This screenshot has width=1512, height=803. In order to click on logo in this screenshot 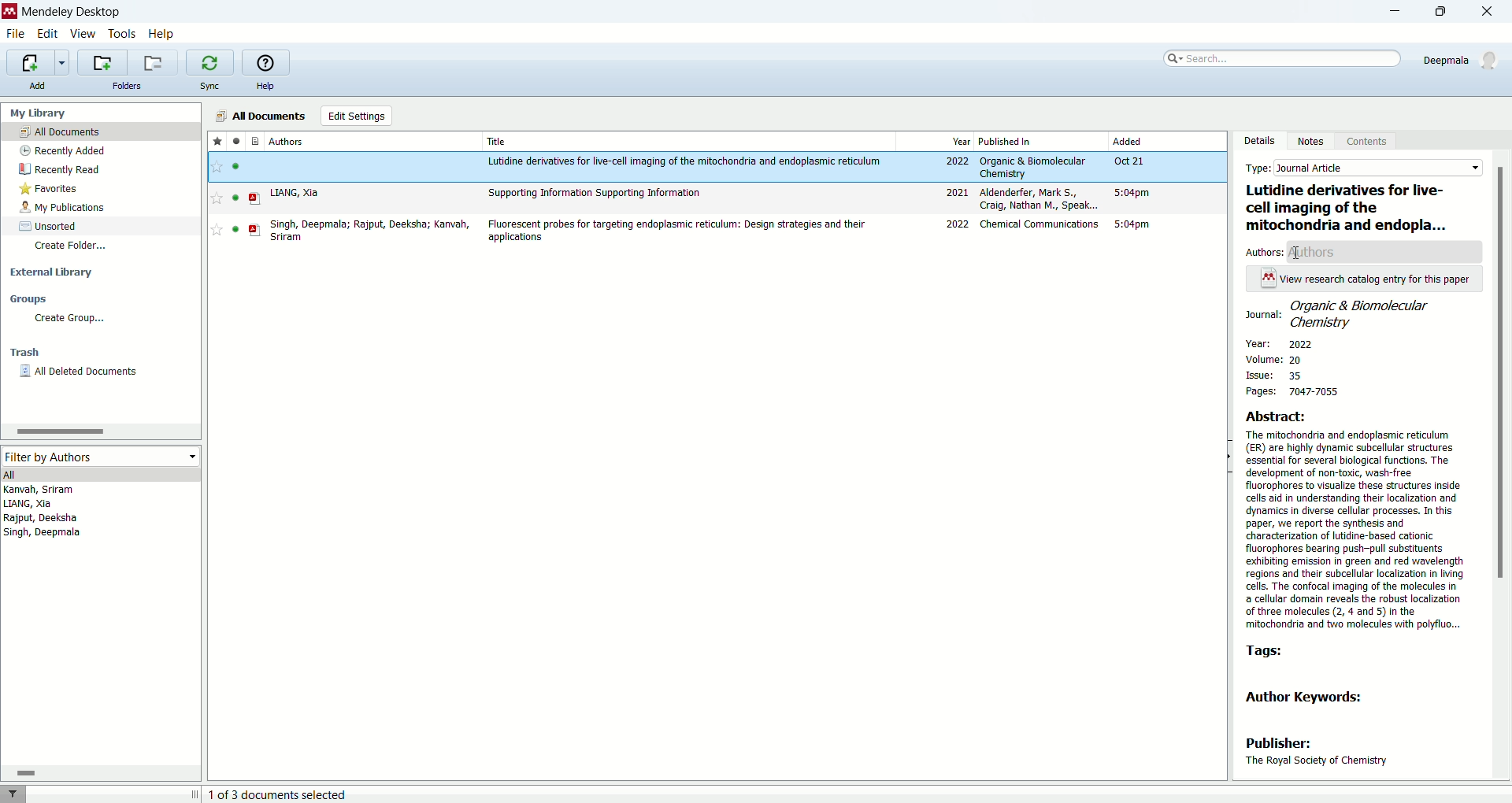, I will do `click(9, 12)`.